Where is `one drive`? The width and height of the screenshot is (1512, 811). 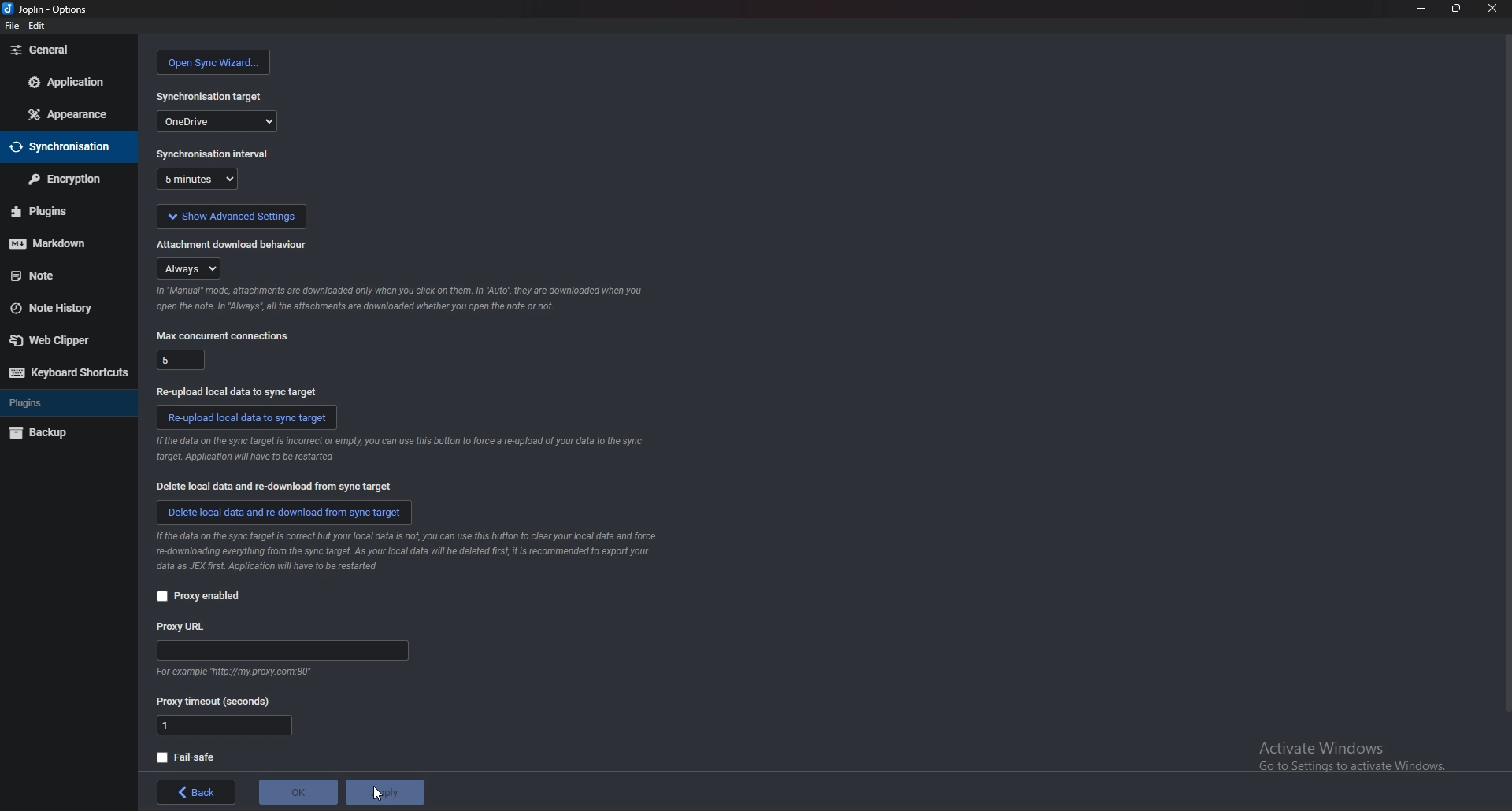
one drive is located at coordinates (218, 121).